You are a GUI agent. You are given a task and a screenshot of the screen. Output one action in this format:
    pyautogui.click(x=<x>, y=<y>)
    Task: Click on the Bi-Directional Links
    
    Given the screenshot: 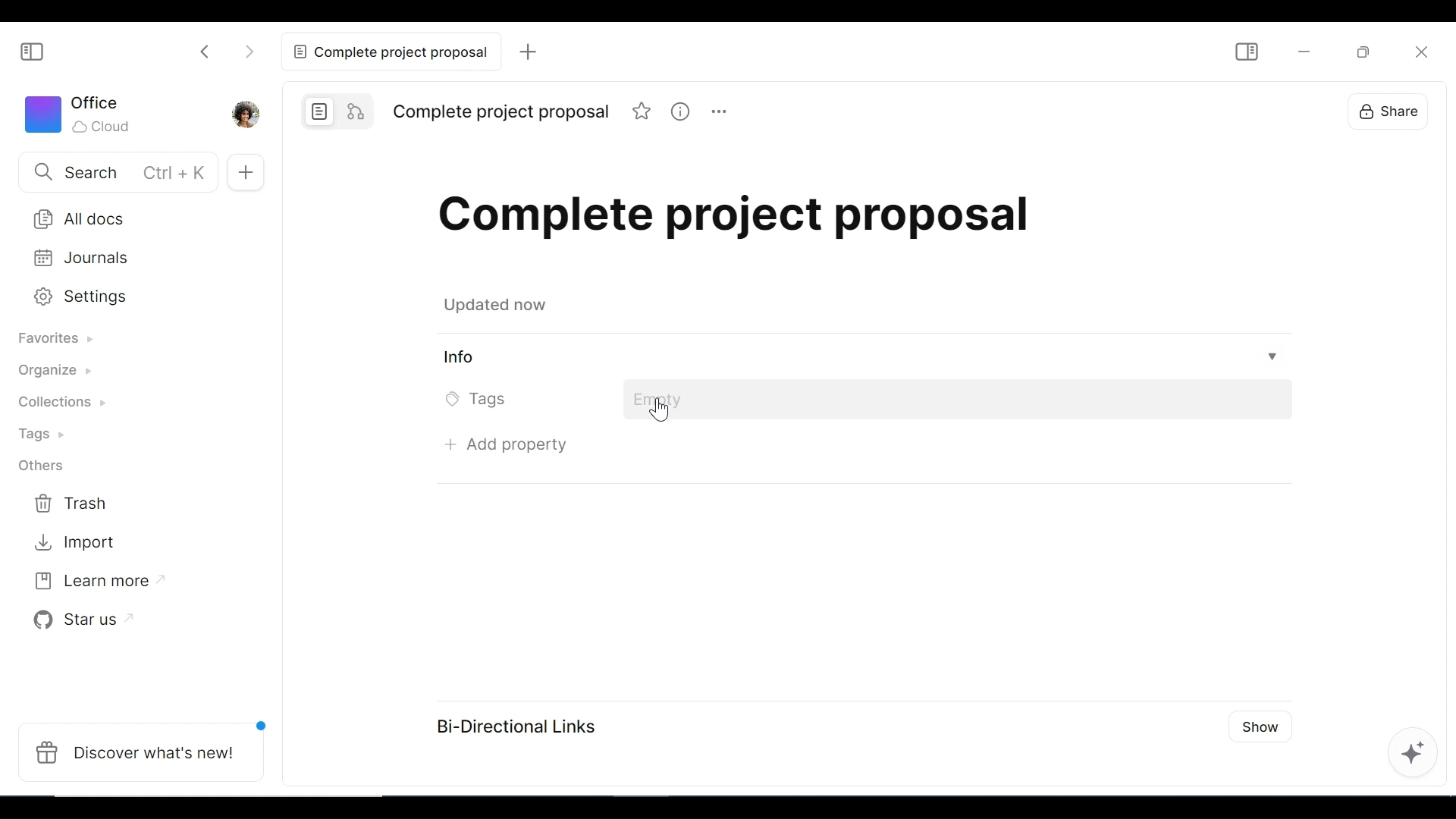 What is the action you would take?
    pyautogui.click(x=509, y=723)
    